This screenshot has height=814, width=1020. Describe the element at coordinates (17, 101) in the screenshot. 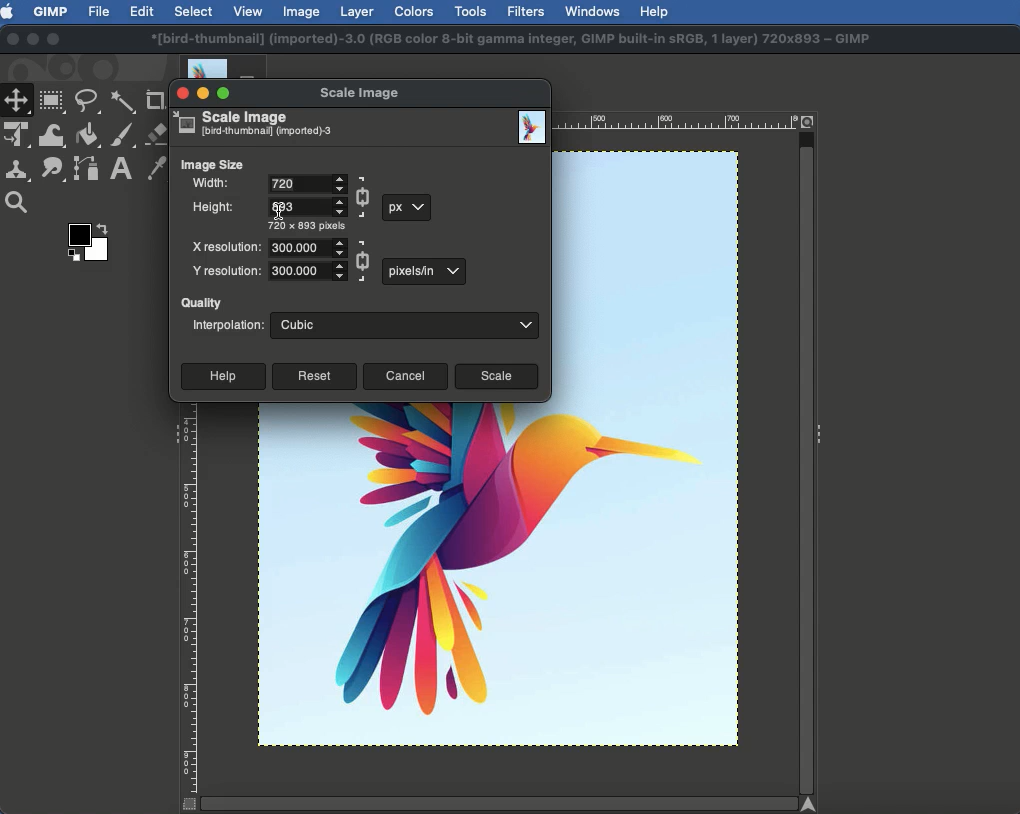

I see `Move tool` at that location.